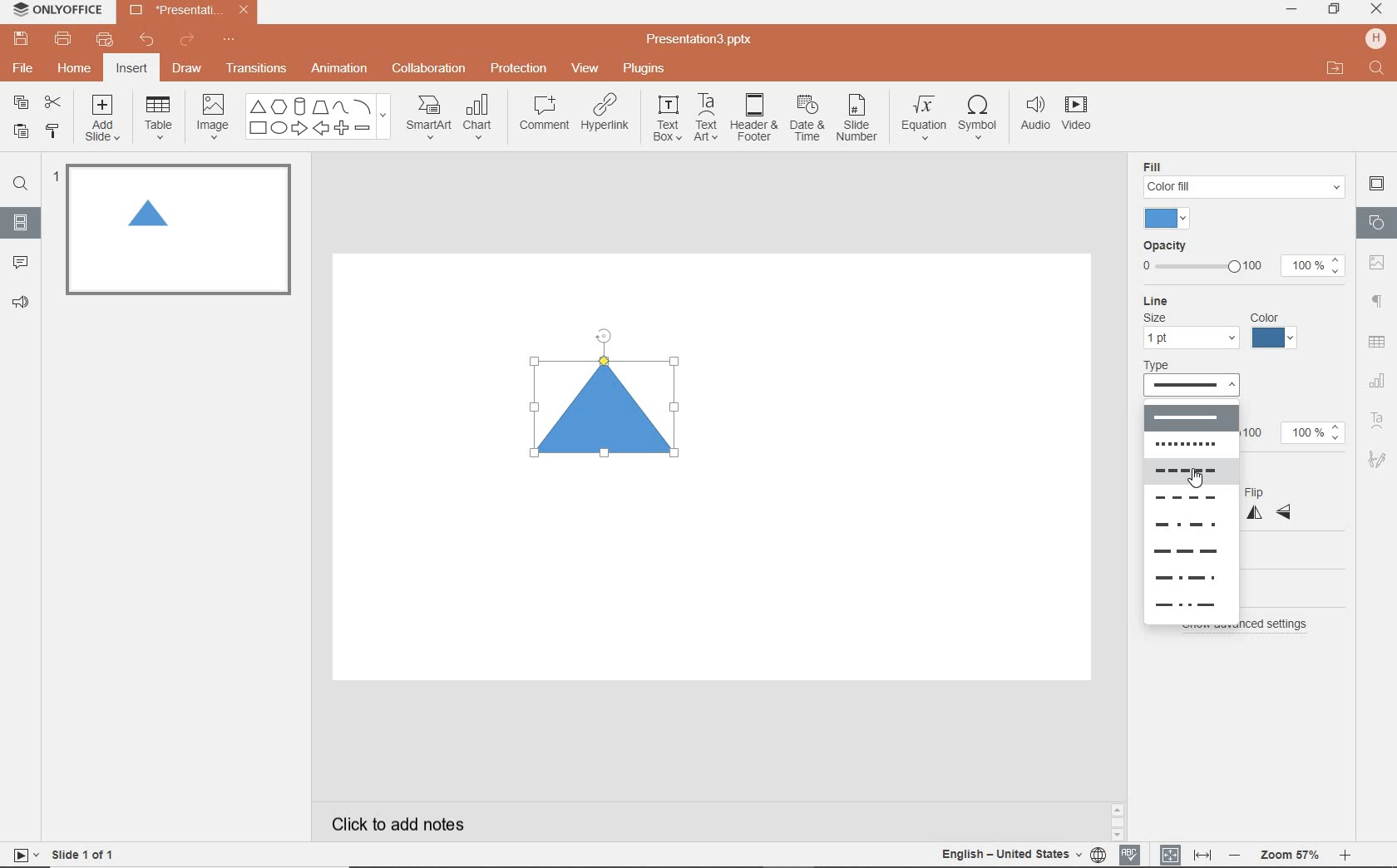 This screenshot has height=868, width=1397. Describe the element at coordinates (753, 117) in the screenshot. I see `HEADER & FOOTER` at that location.